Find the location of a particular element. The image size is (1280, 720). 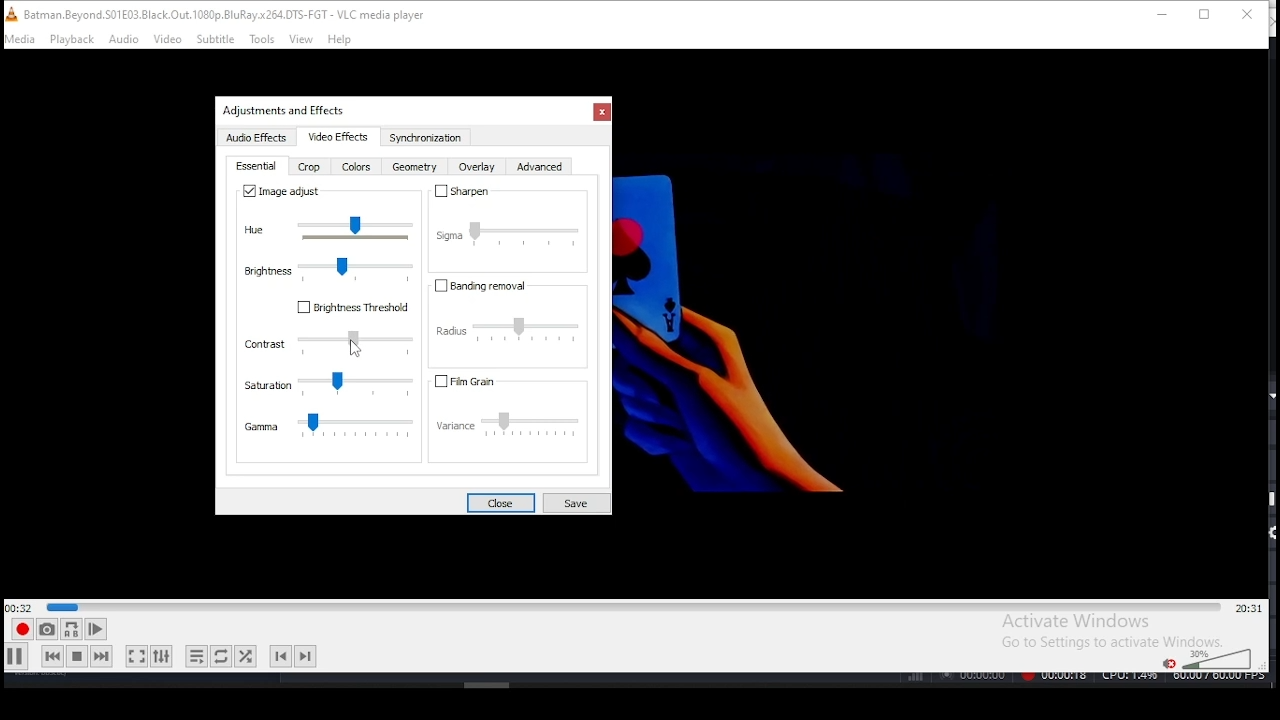

next media in track, skips forward when held is located at coordinates (102, 657).